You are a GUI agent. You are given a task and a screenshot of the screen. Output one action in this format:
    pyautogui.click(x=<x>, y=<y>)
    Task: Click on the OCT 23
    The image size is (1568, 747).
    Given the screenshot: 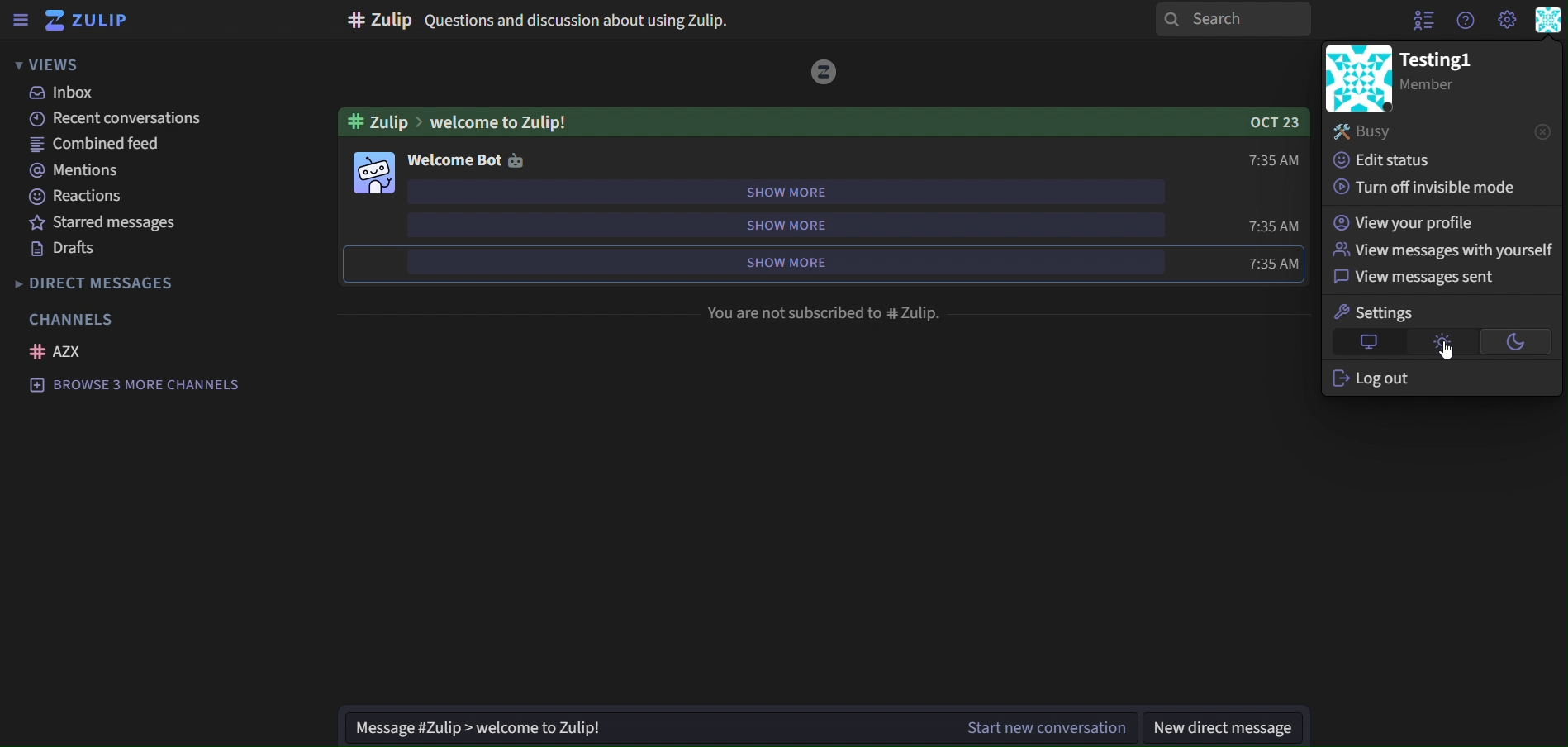 What is the action you would take?
    pyautogui.click(x=1266, y=121)
    